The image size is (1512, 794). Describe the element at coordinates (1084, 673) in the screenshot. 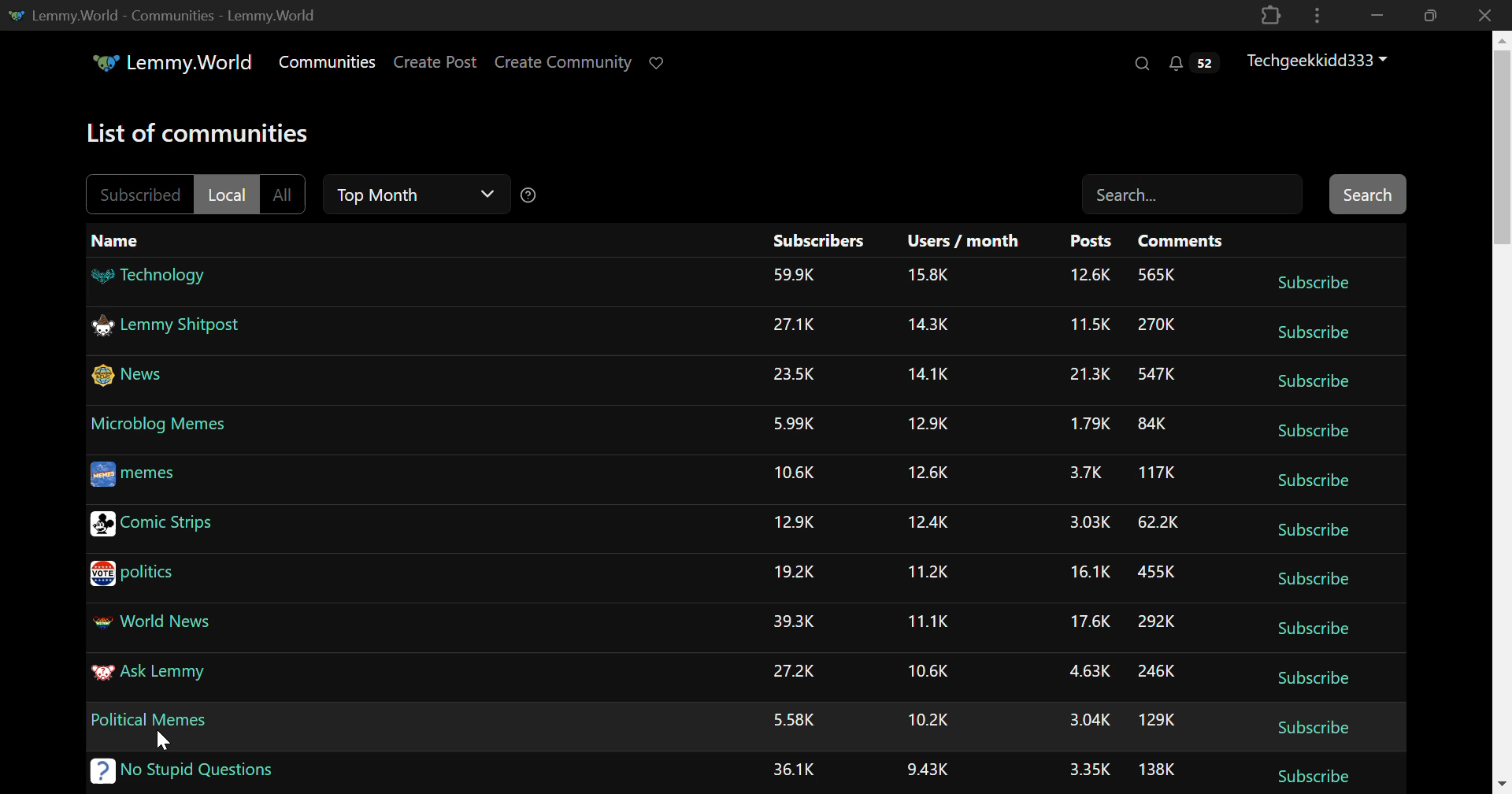

I see `Amount` at that location.